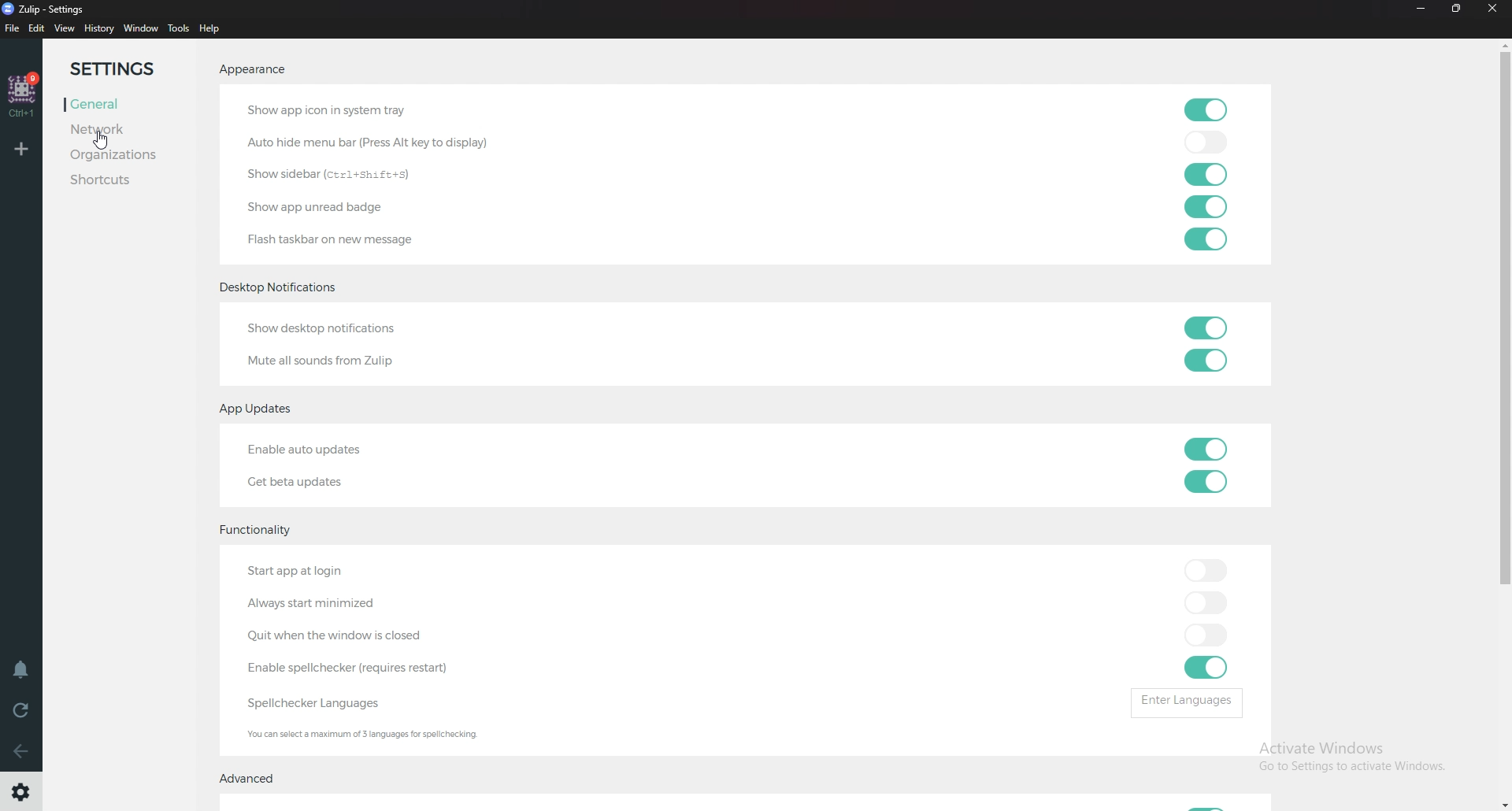 The image size is (1512, 811). I want to click on auto hide menu bar, so click(383, 145).